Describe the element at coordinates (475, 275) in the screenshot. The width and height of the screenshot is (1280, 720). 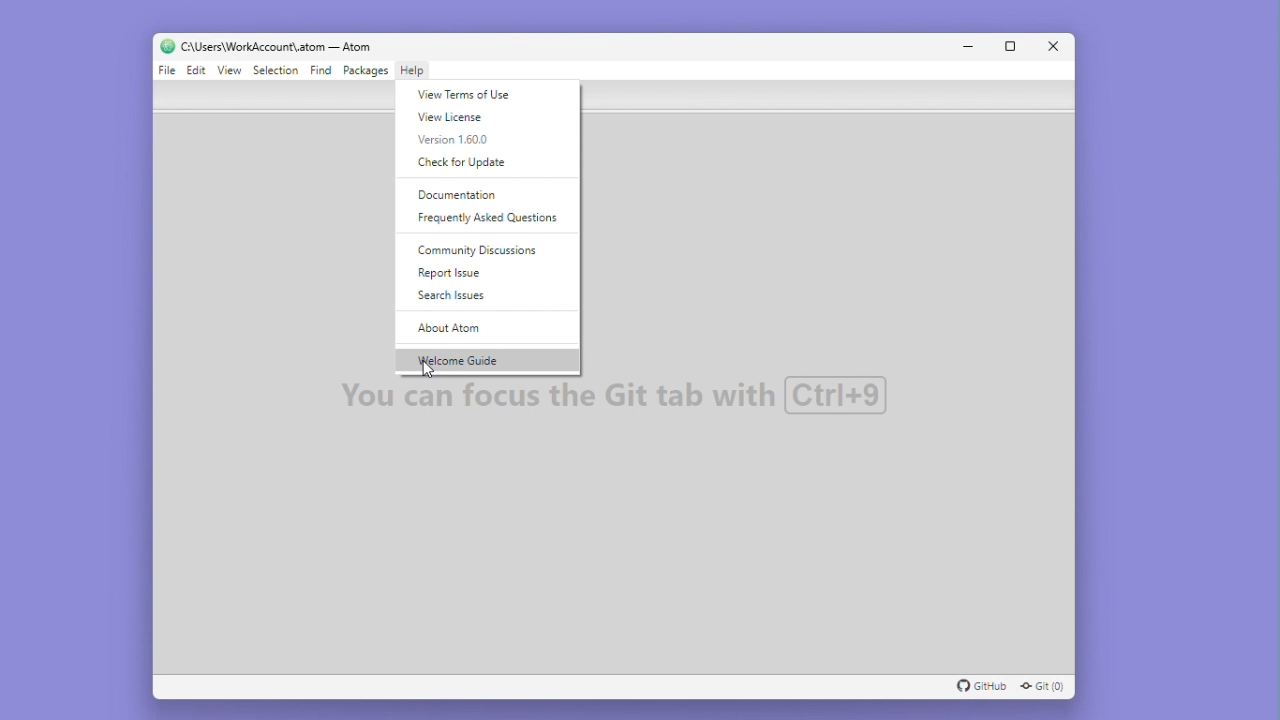
I see `Report issue` at that location.